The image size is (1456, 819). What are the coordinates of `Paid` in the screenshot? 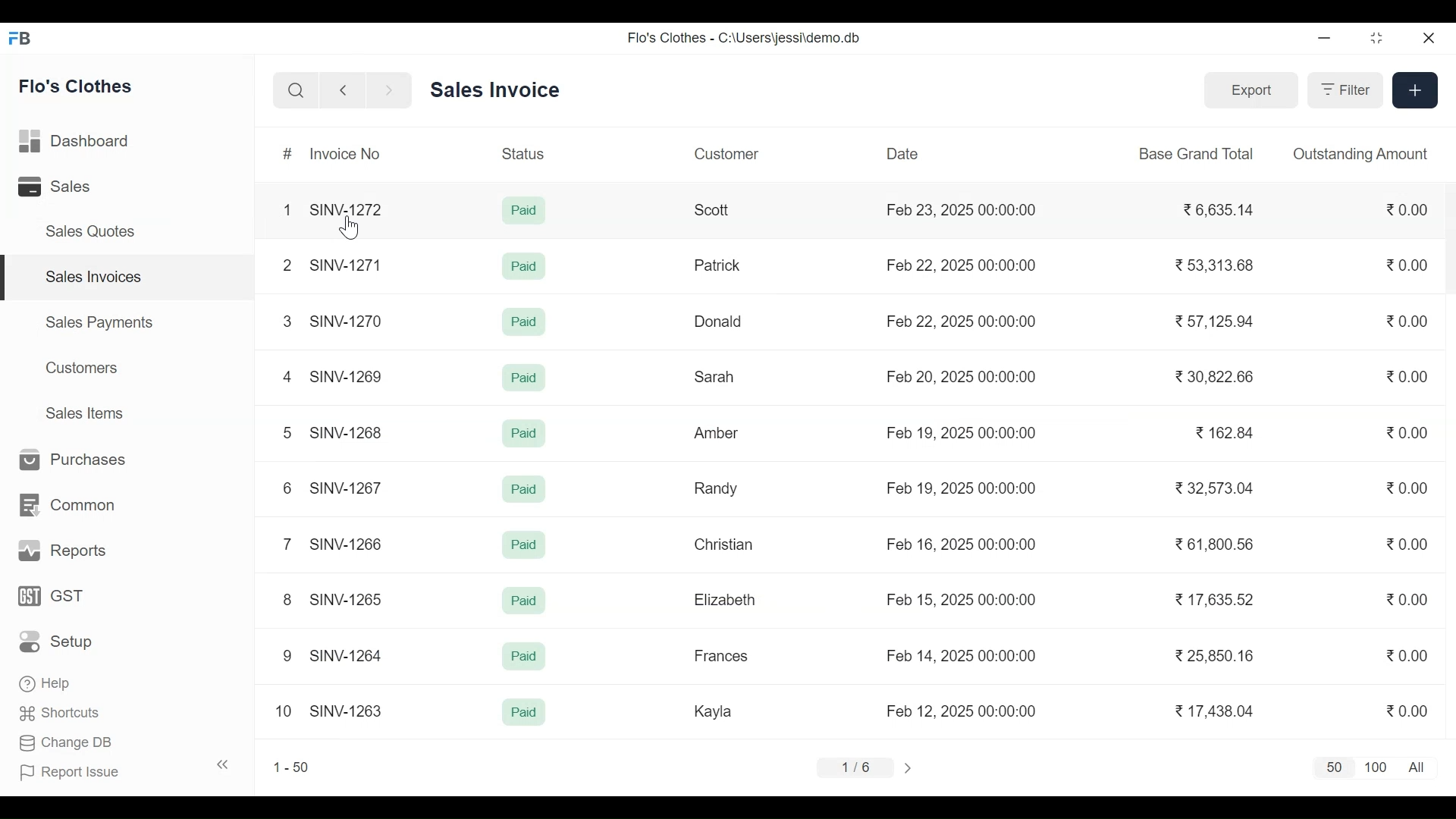 It's located at (522, 601).